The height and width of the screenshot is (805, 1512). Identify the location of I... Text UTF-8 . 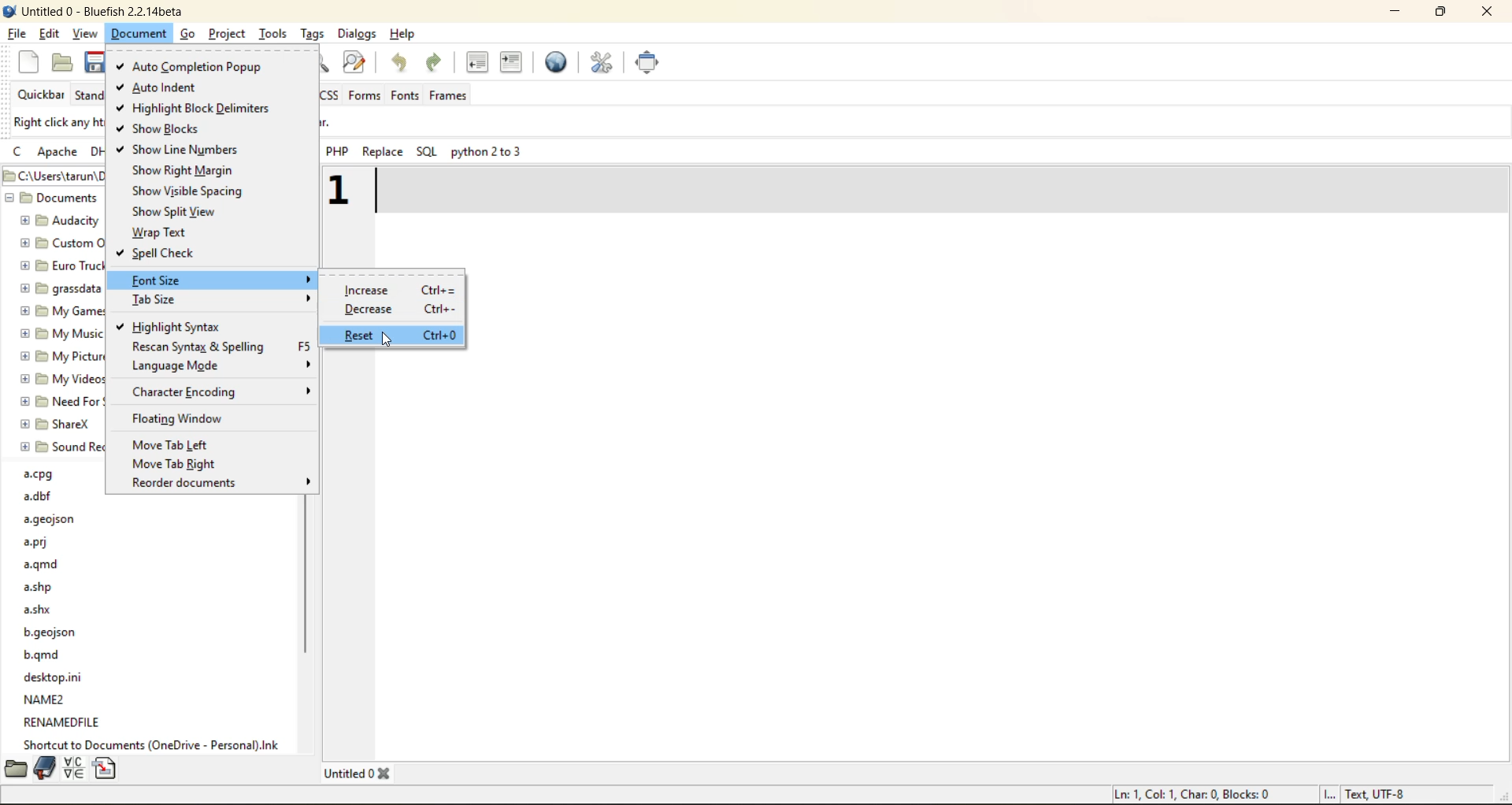
(1366, 793).